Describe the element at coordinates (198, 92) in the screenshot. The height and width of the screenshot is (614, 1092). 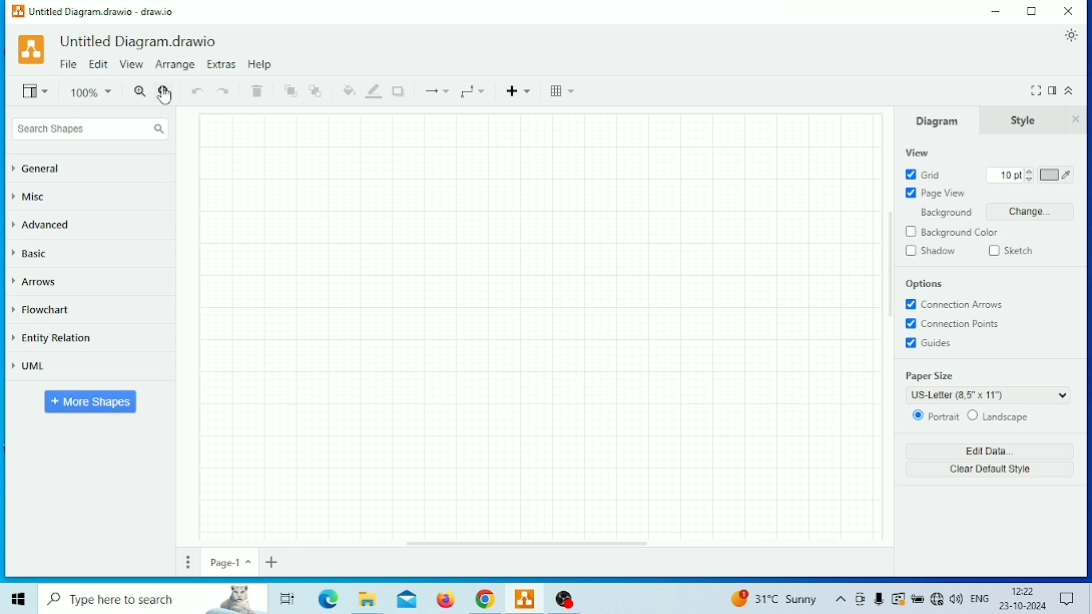
I see `Undo` at that location.